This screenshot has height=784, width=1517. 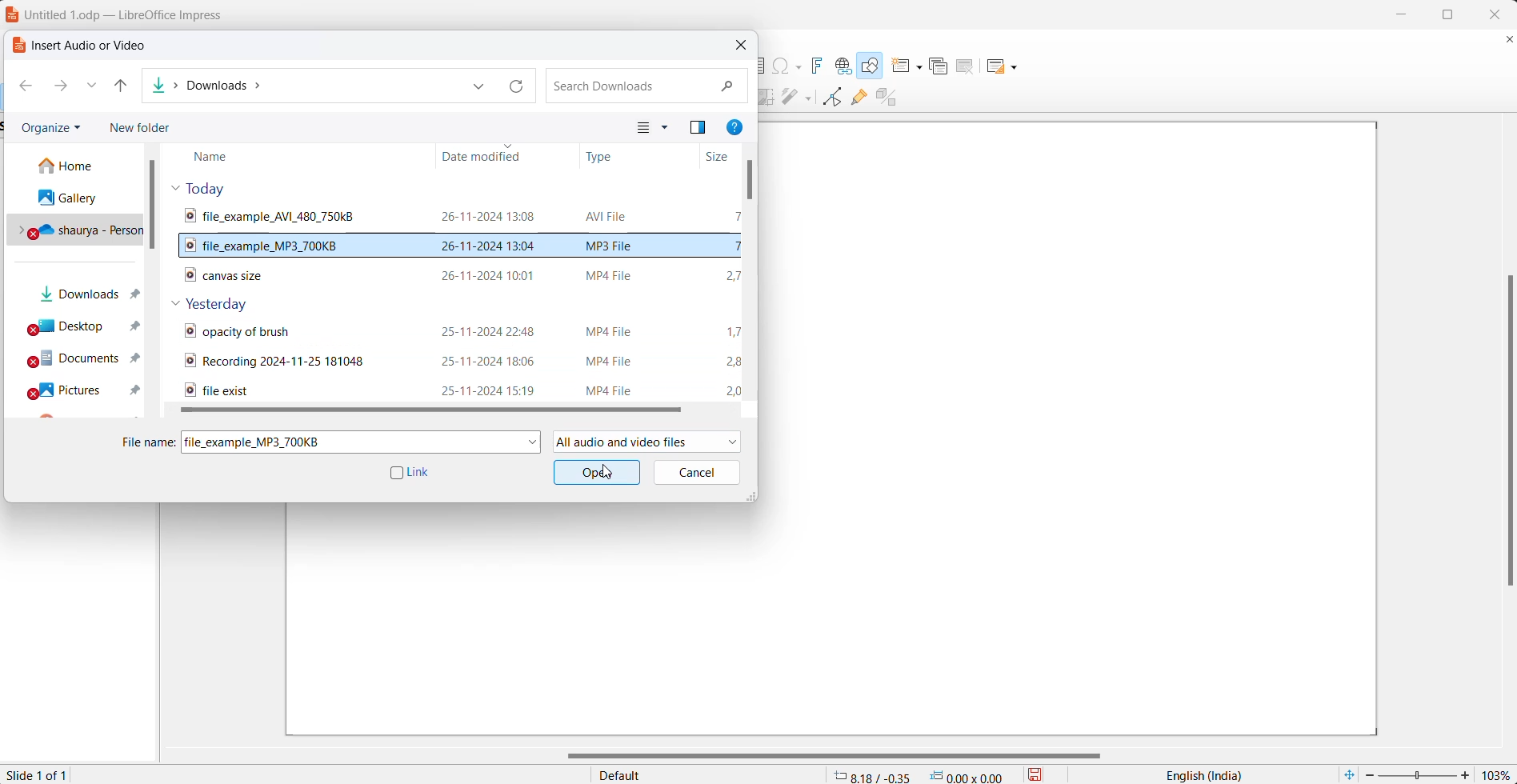 I want to click on video files date and time, so click(x=490, y=359).